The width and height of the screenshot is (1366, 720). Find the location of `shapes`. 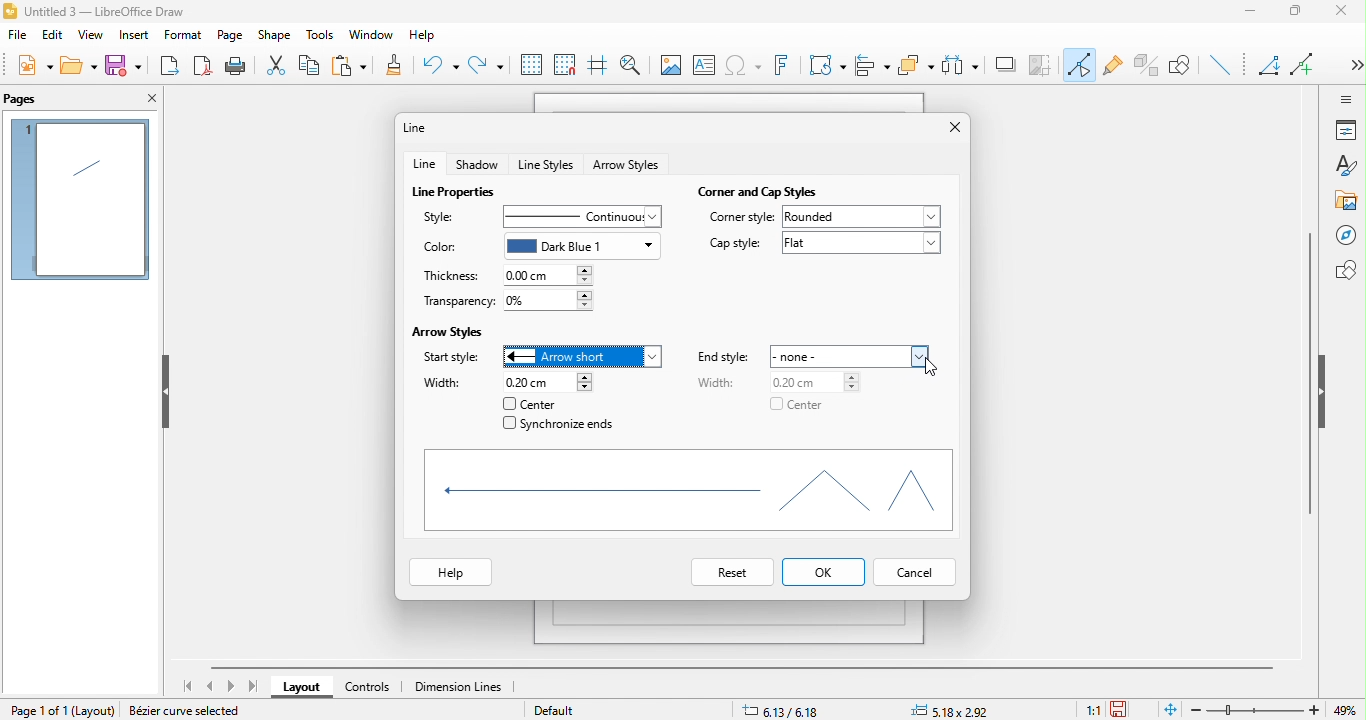

shapes is located at coordinates (684, 492).